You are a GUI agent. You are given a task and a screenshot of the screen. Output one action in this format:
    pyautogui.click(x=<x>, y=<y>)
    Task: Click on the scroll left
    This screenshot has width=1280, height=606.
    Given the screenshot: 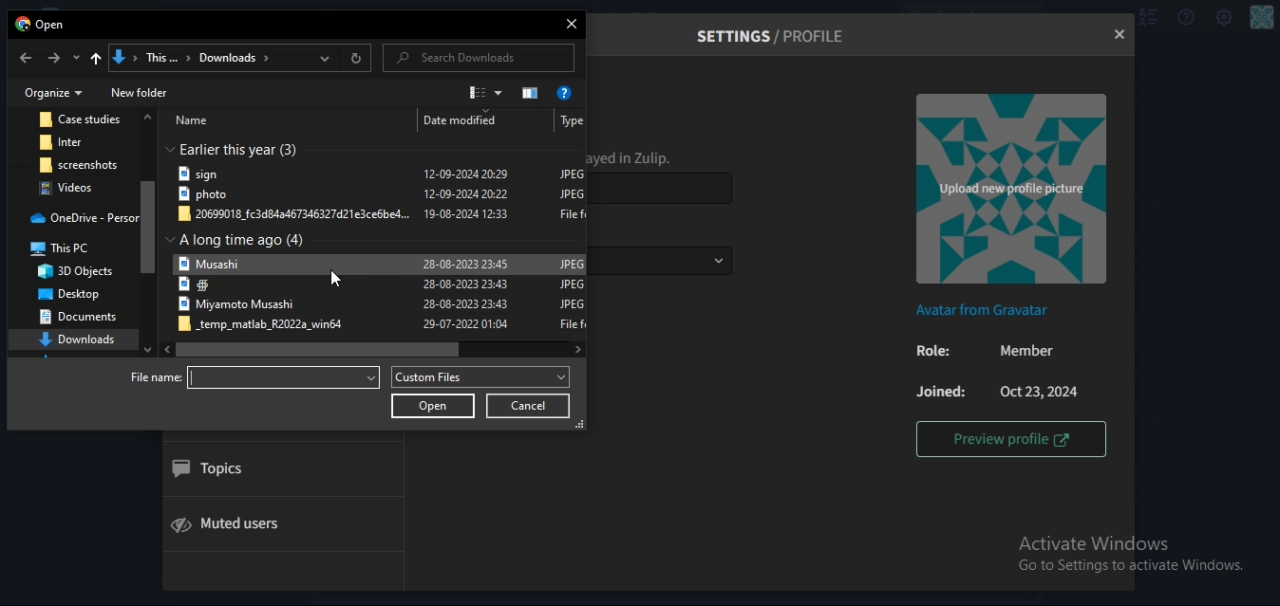 What is the action you would take?
    pyautogui.click(x=164, y=350)
    